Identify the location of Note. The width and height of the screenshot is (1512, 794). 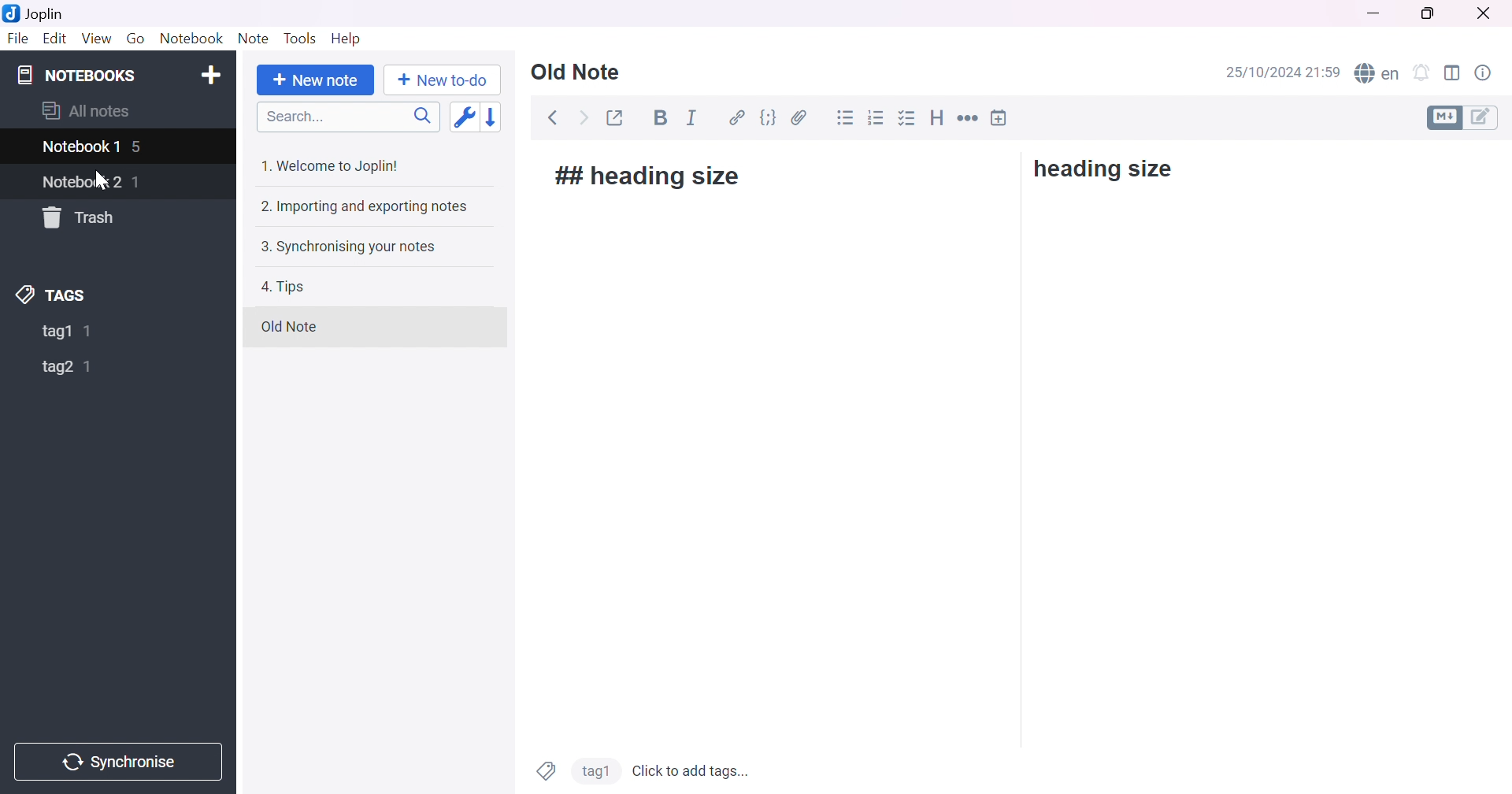
(577, 73).